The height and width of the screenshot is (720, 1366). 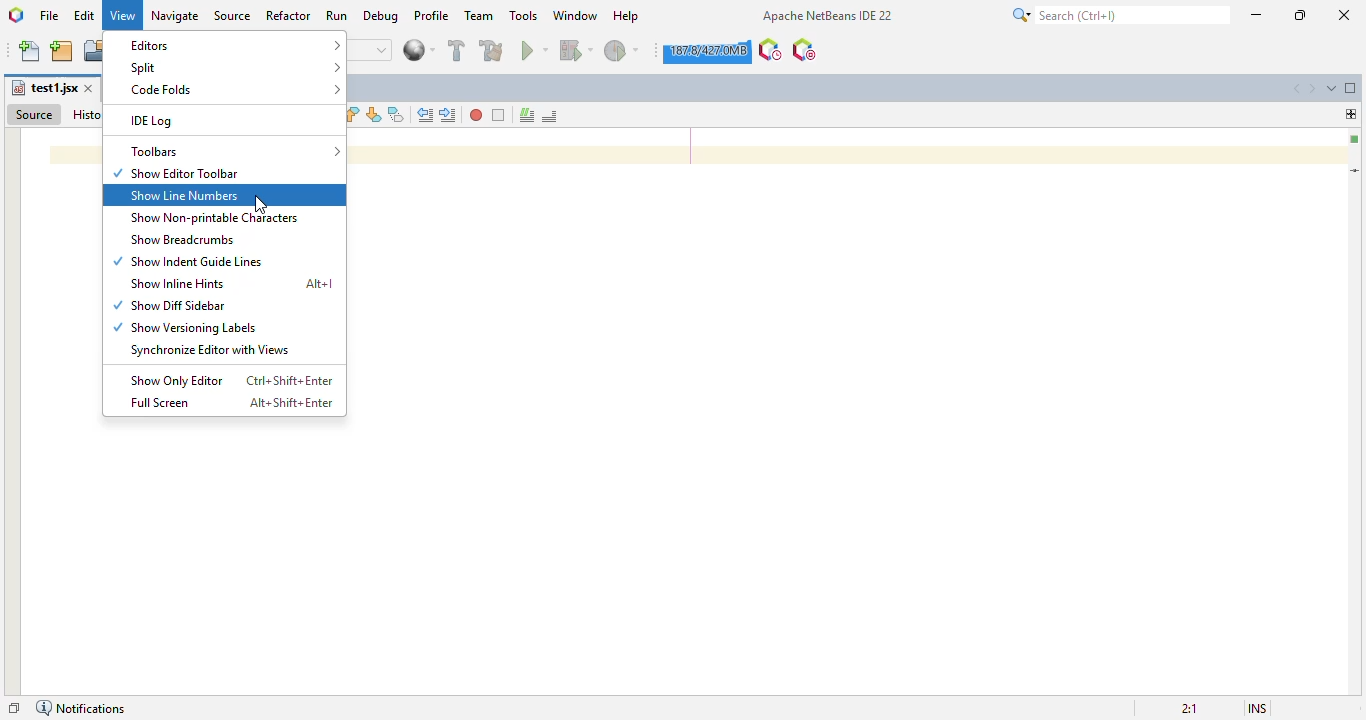 What do you see at coordinates (123, 16) in the screenshot?
I see `view` at bounding box center [123, 16].